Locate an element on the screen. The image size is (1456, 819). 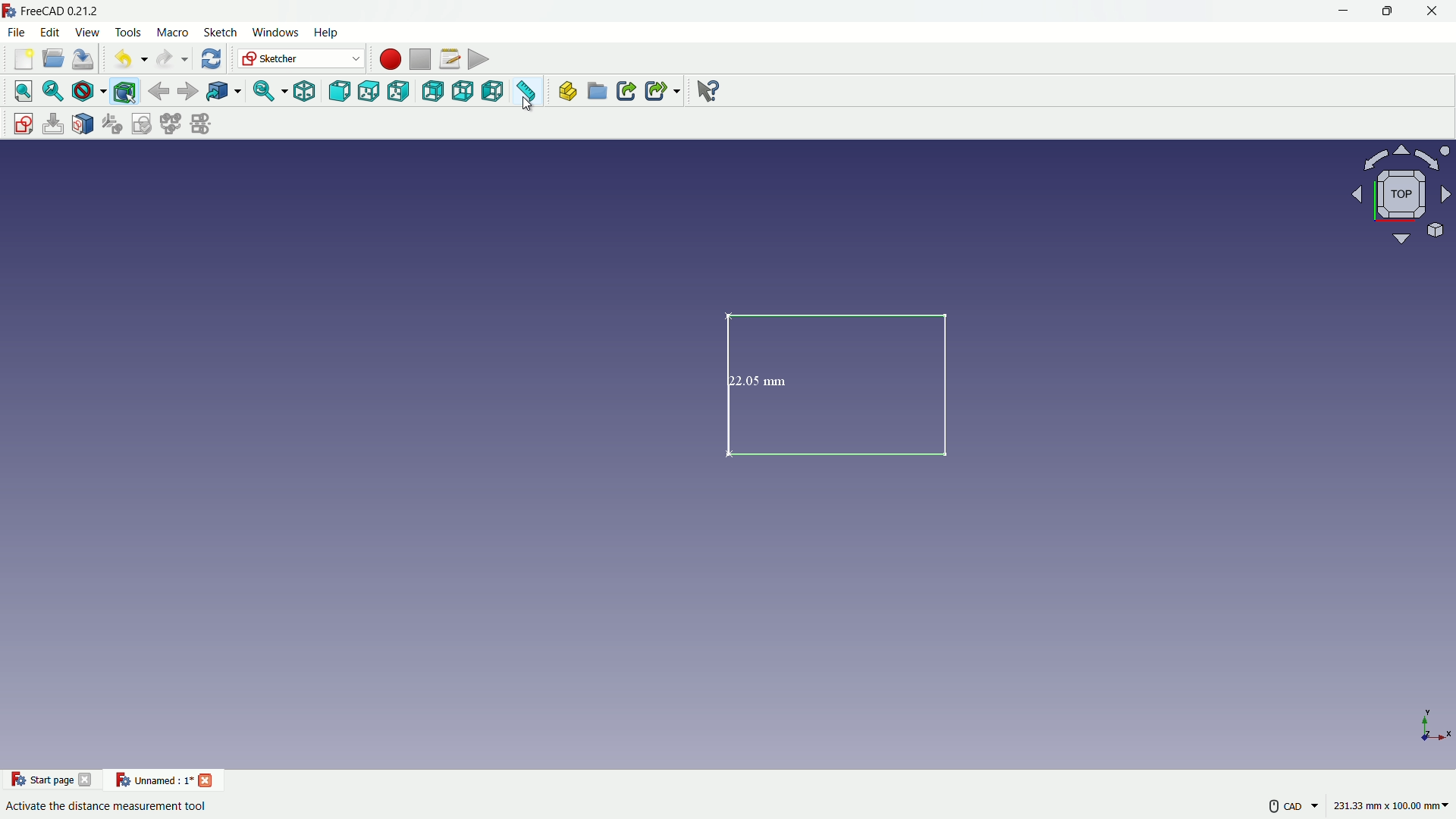
sync view is located at coordinates (265, 92).